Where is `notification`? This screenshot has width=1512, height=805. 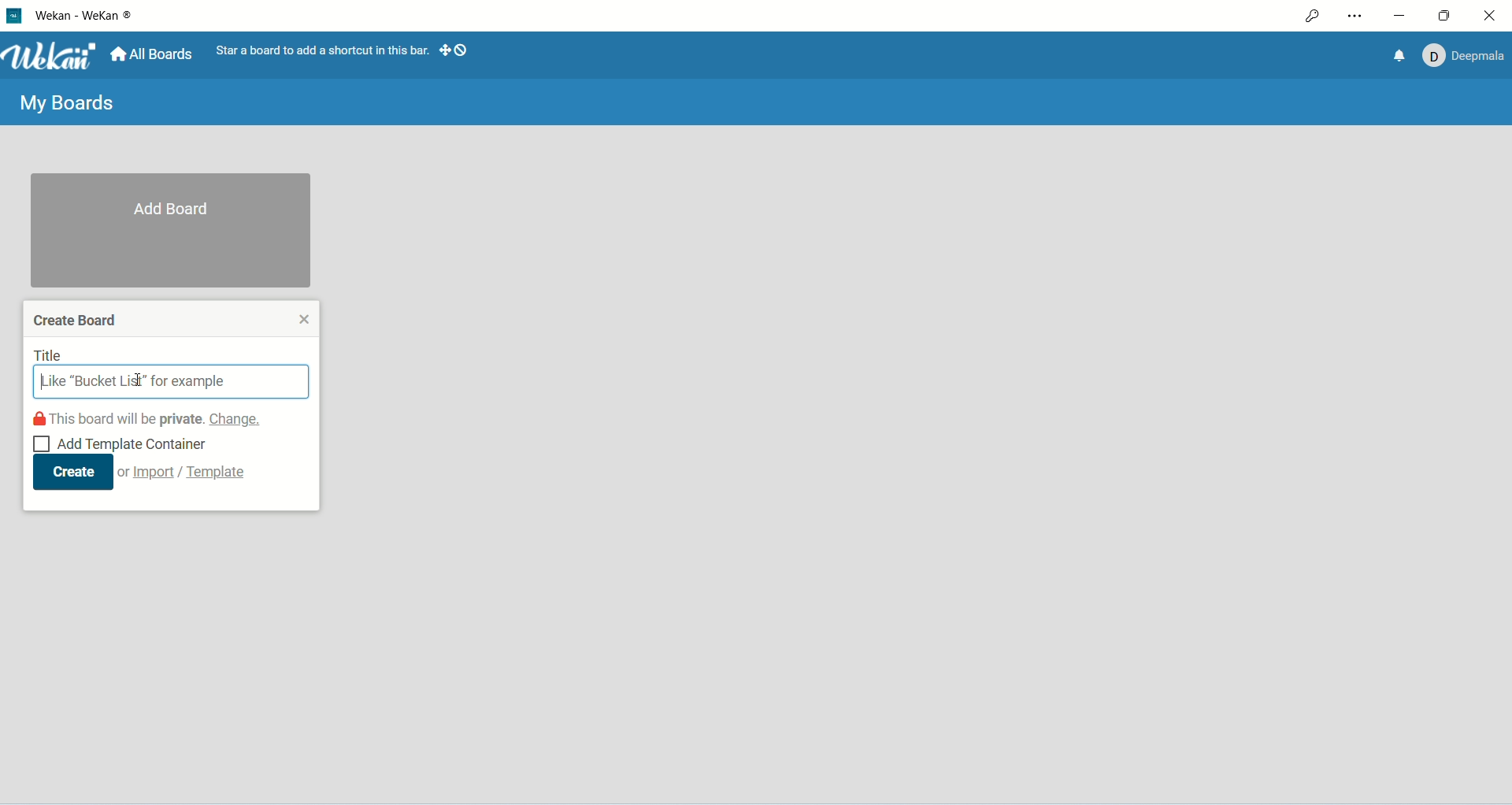 notification is located at coordinates (1397, 54).